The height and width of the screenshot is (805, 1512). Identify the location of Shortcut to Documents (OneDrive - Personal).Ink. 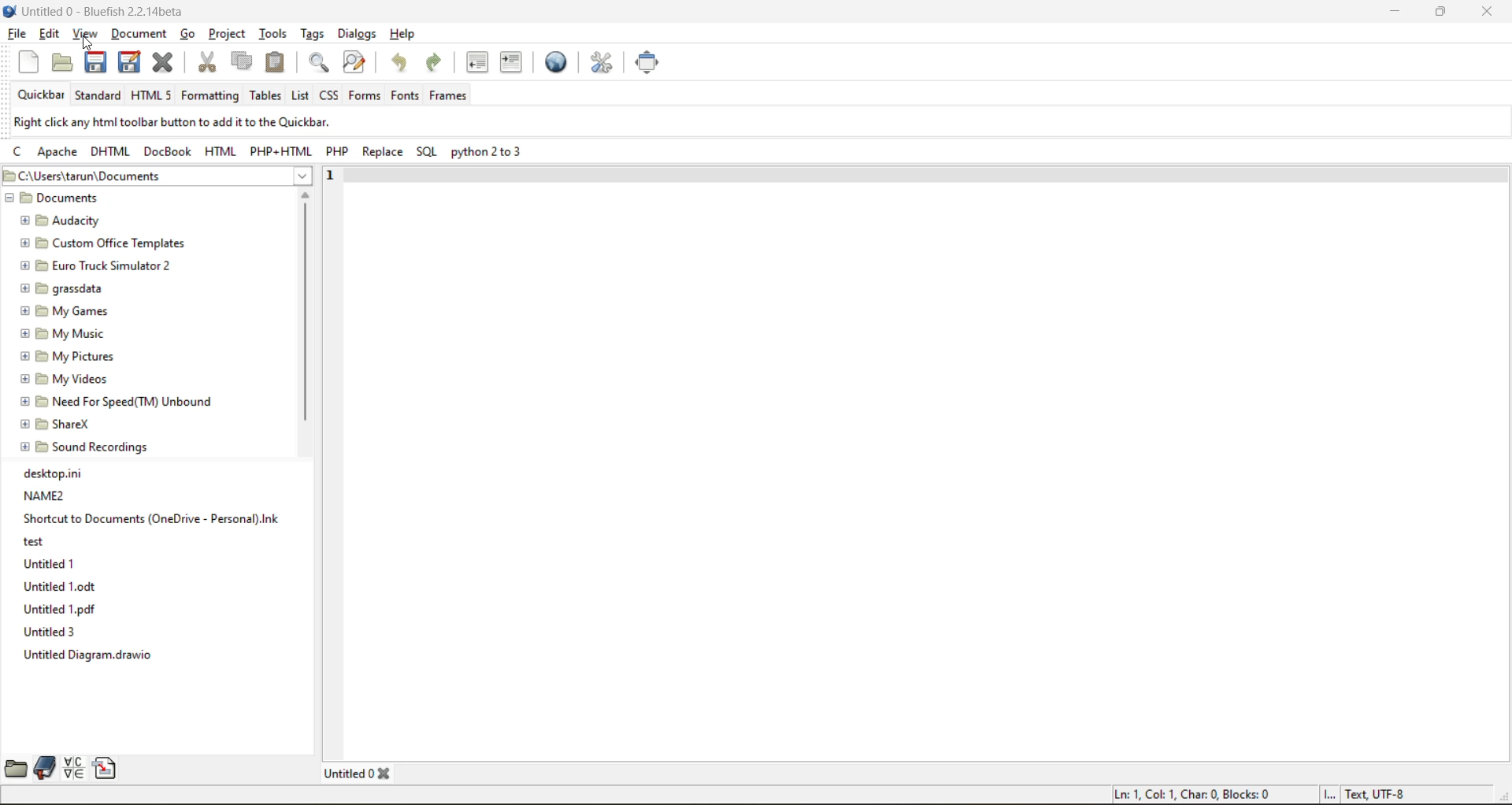
(157, 520).